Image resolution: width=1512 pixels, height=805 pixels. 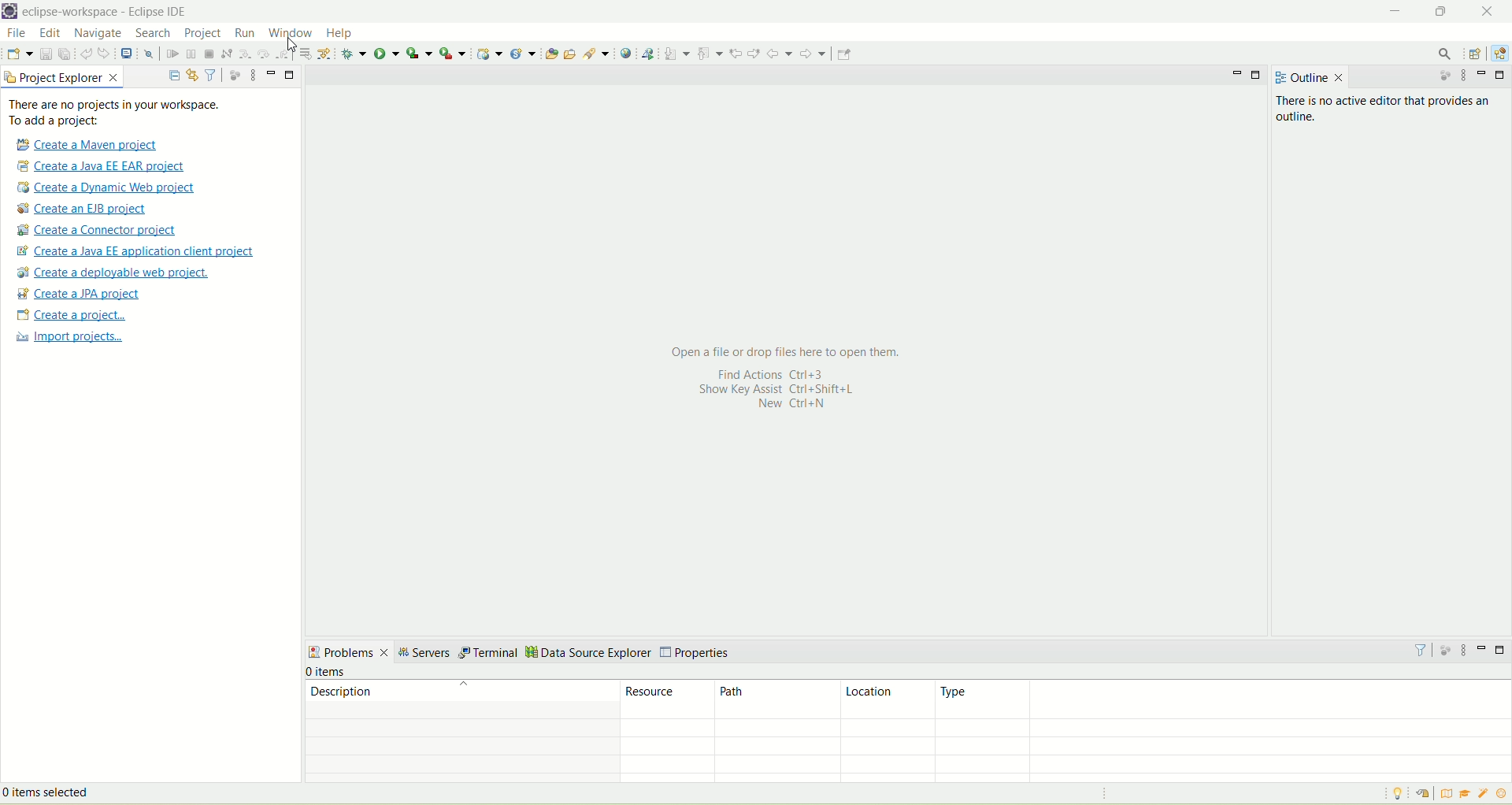 I want to click on open task, so click(x=572, y=54).